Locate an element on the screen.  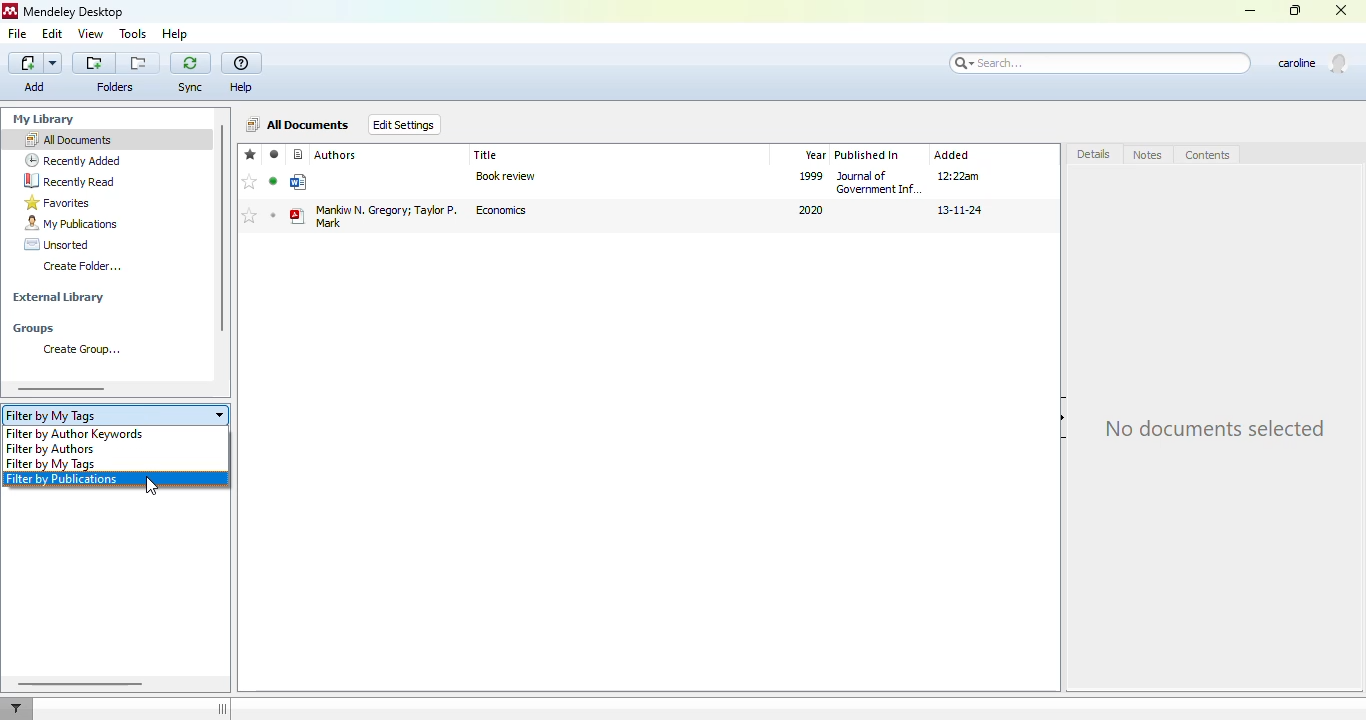
13-11-24 is located at coordinates (960, 211).